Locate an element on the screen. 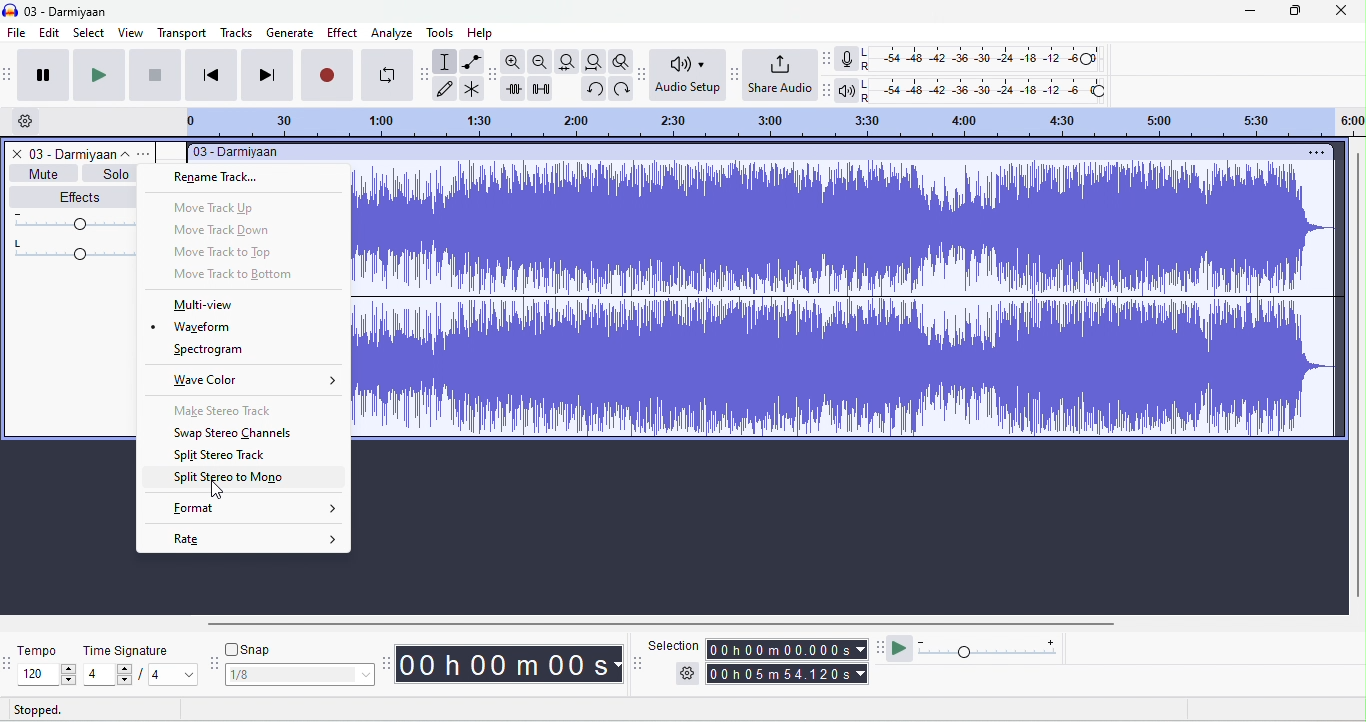 This screenshot has height=722, width=1366. vertical scroll bar is located at coordinates (1357, 379).